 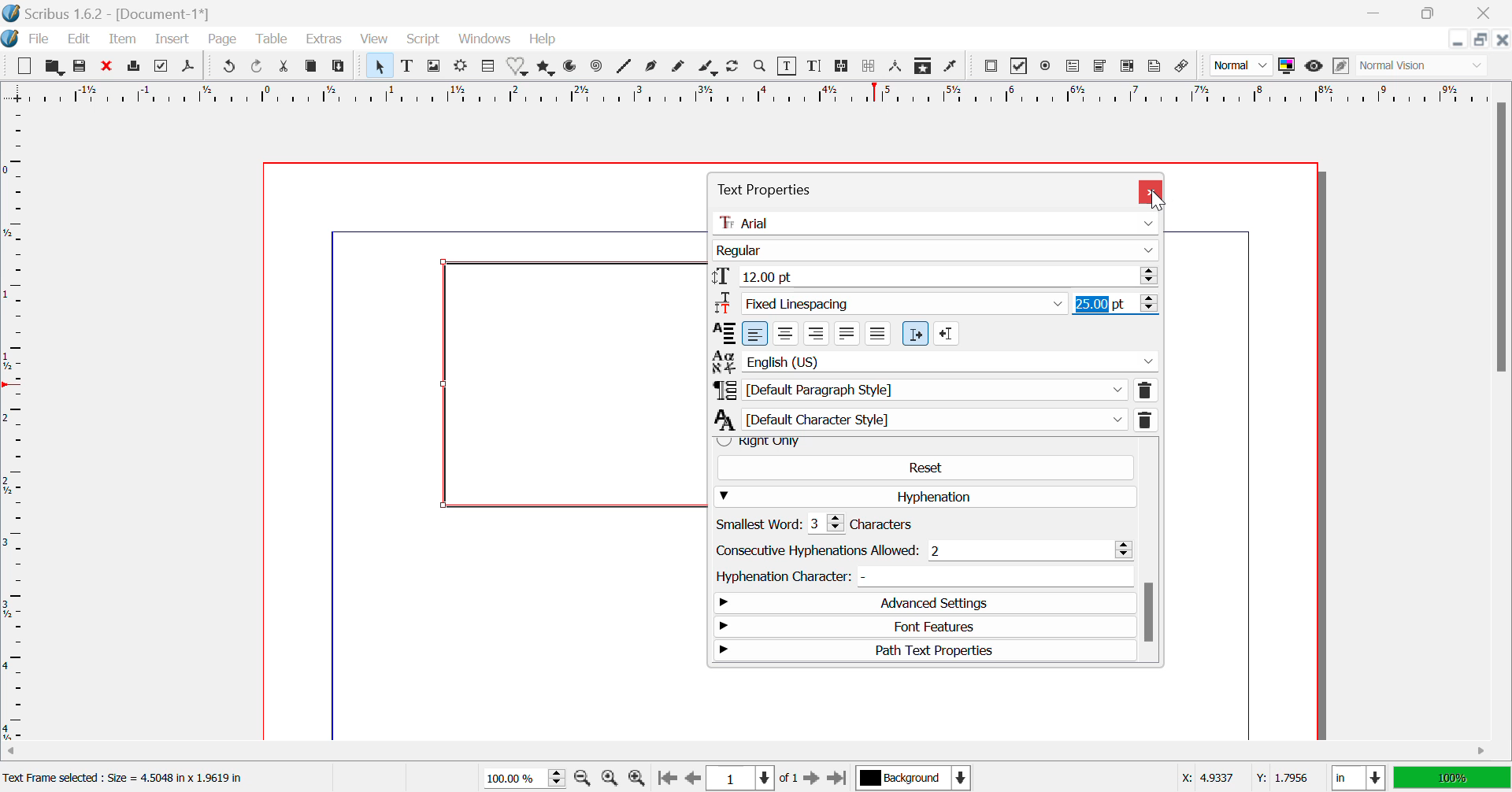 I want to click on left align, so click(x=755, y=334).